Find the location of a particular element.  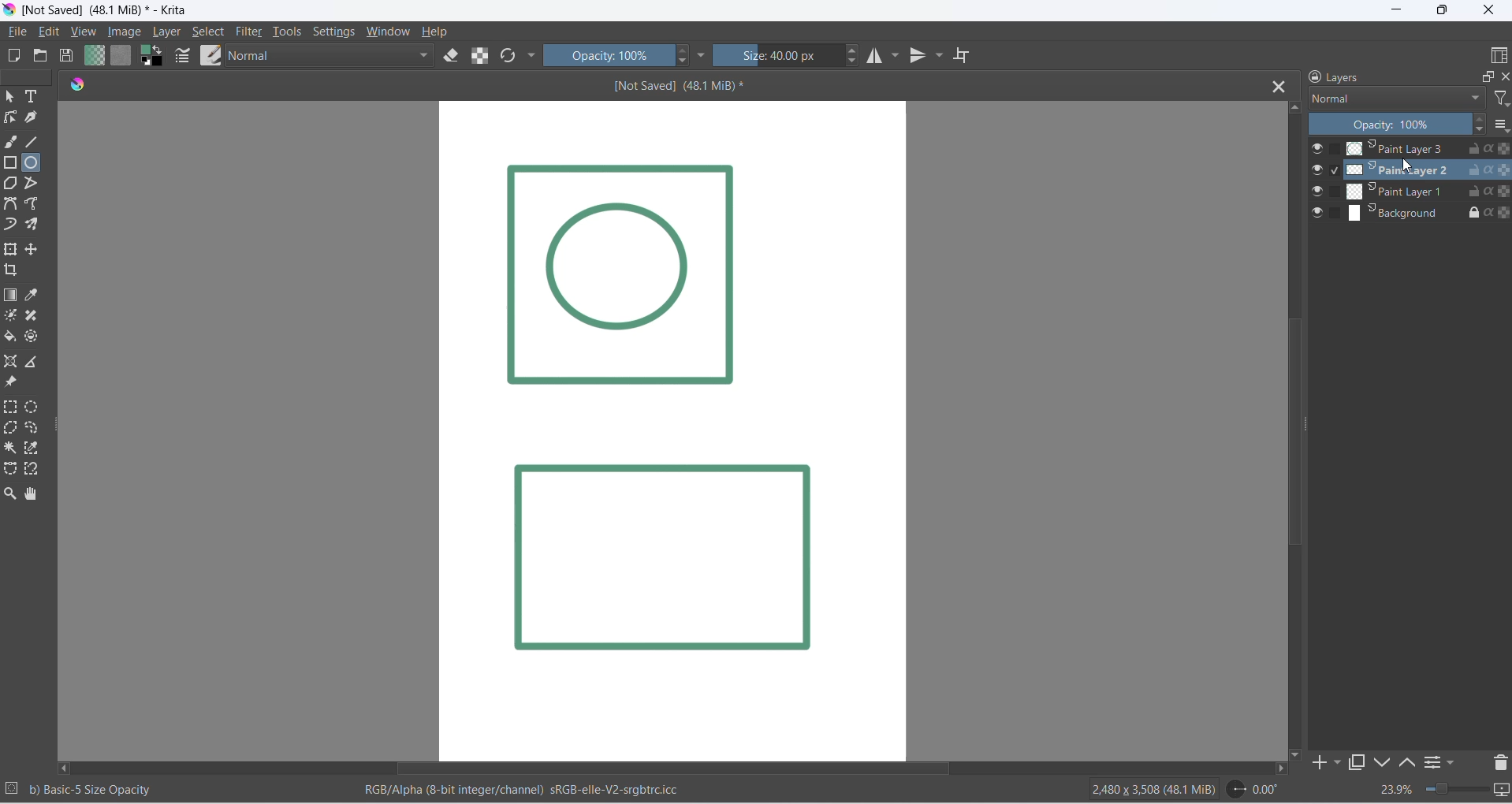

move left is located at coordinates (65, 769).